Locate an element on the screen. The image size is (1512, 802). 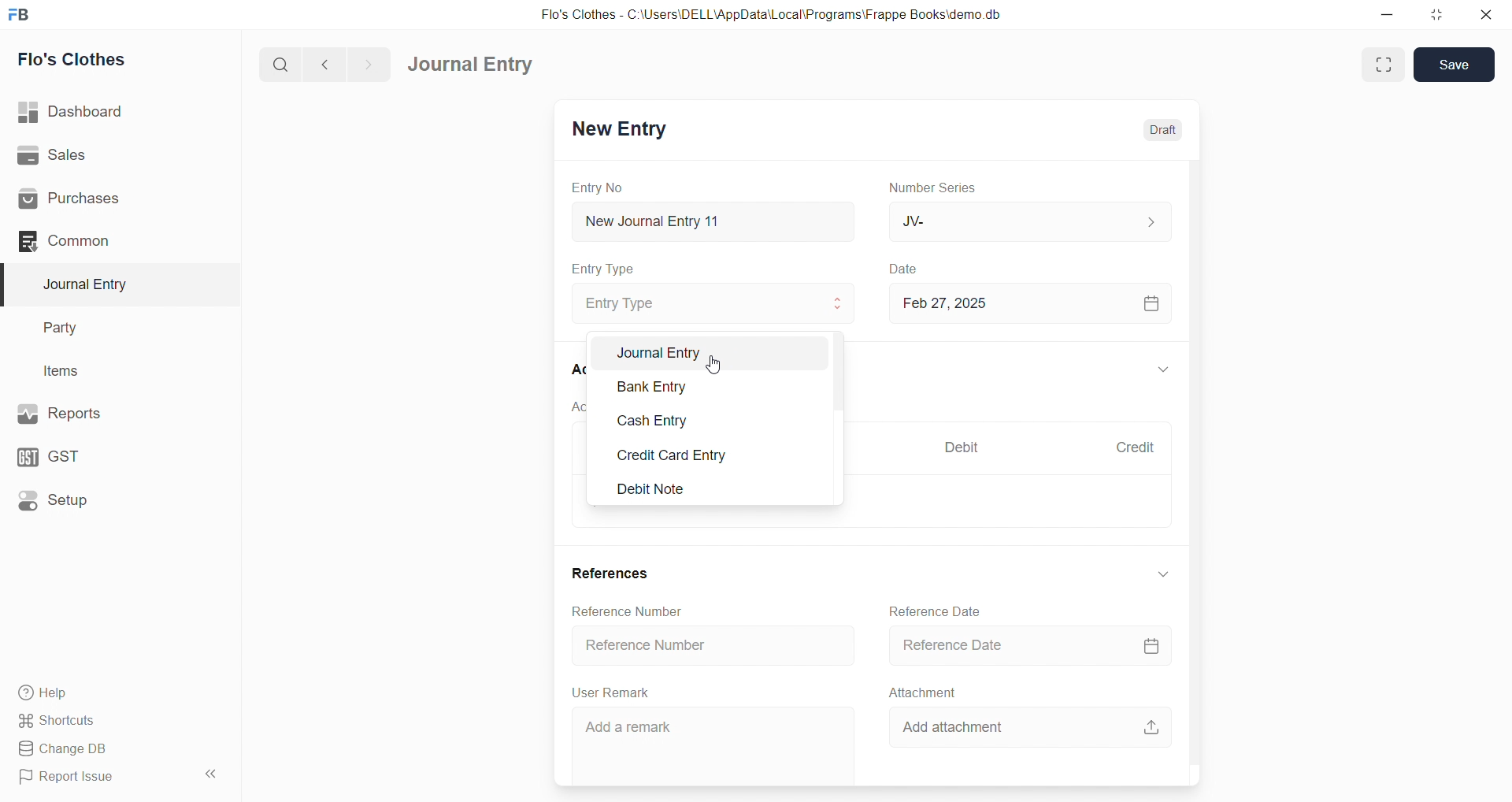
Cash Entry is located at coordinates (669, 421).